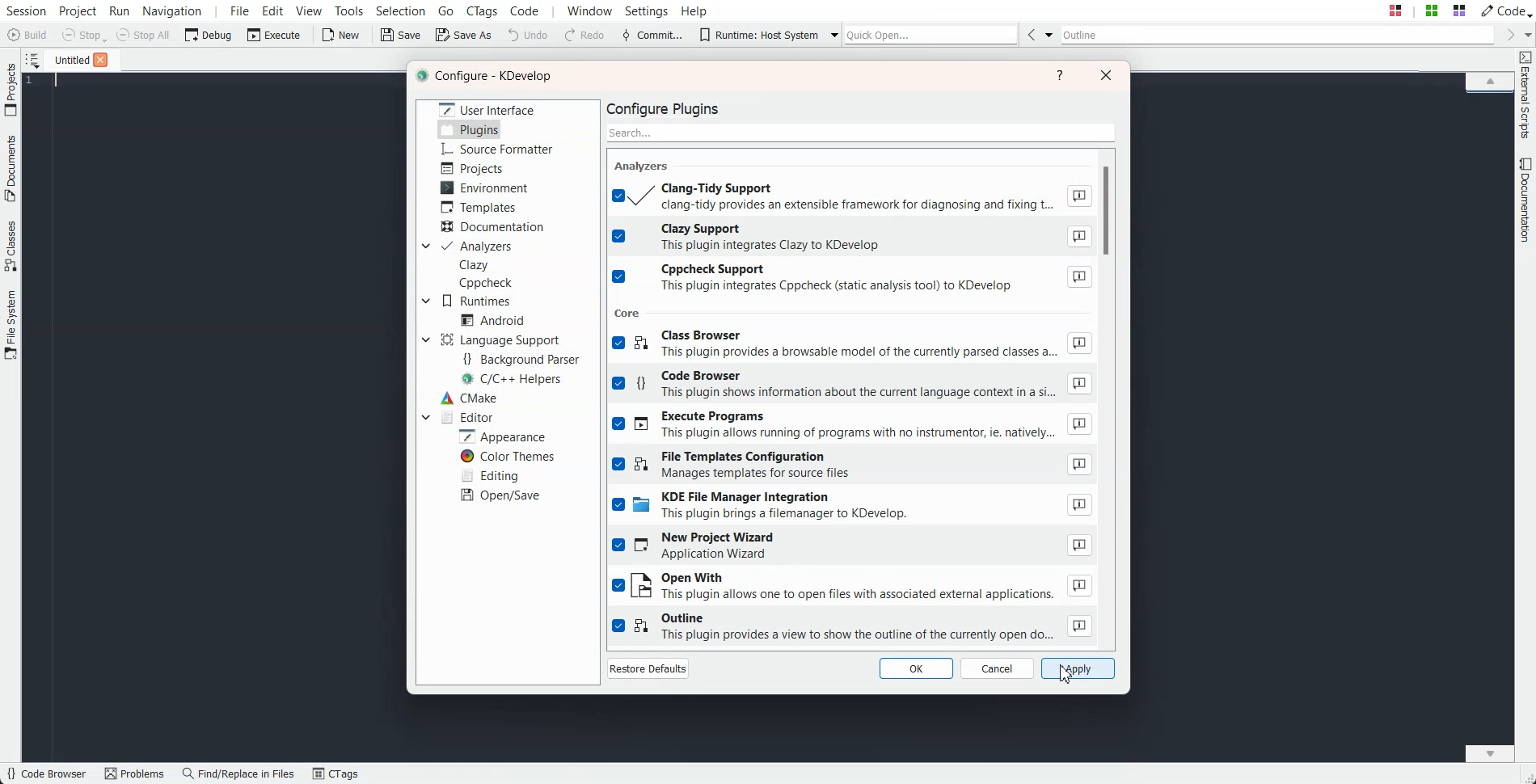 The height and width of the screenshot is (784, 1536). I want to click on Drop down box, so click(1526, 34).